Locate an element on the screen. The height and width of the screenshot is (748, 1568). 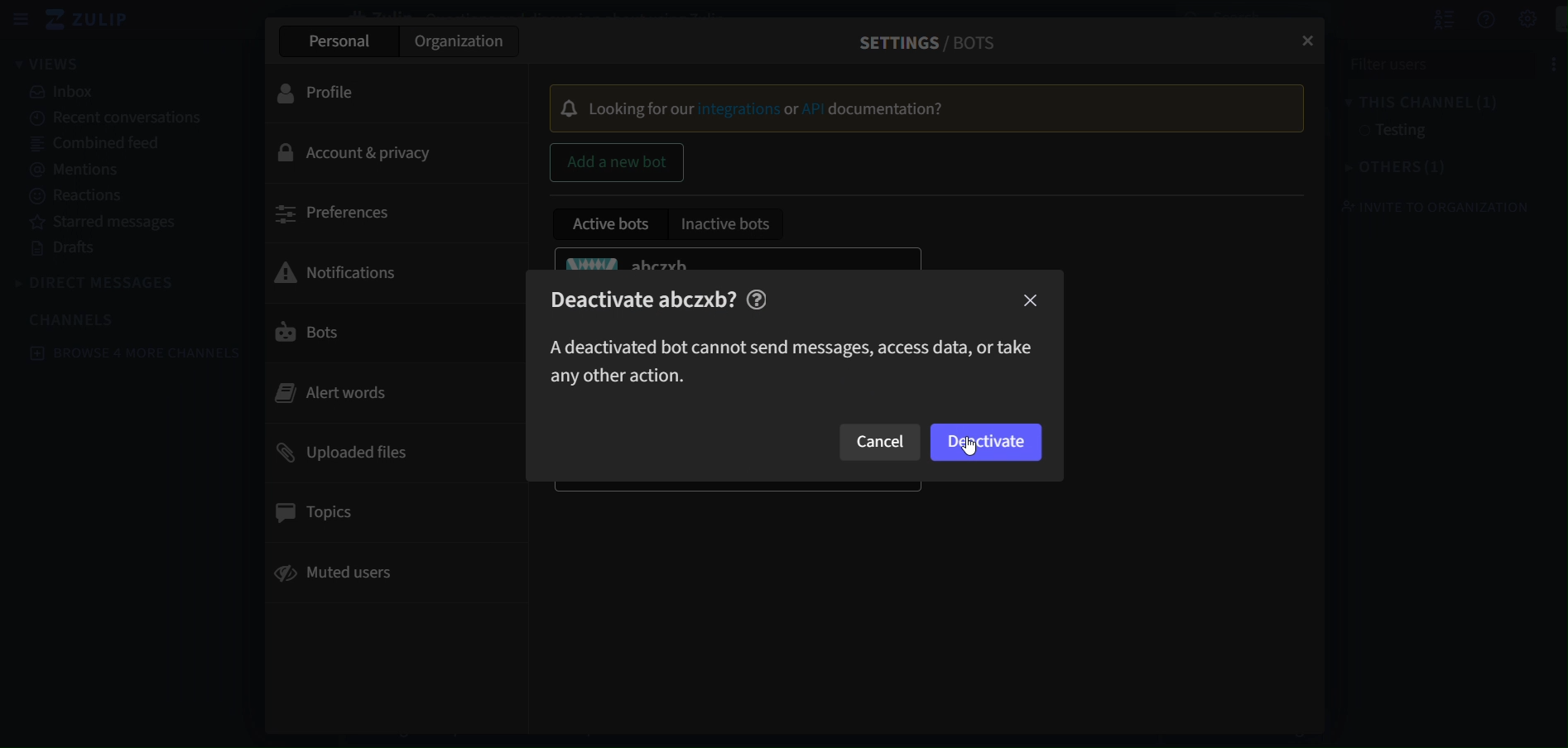
muted users is located at coordinates (344, 569).